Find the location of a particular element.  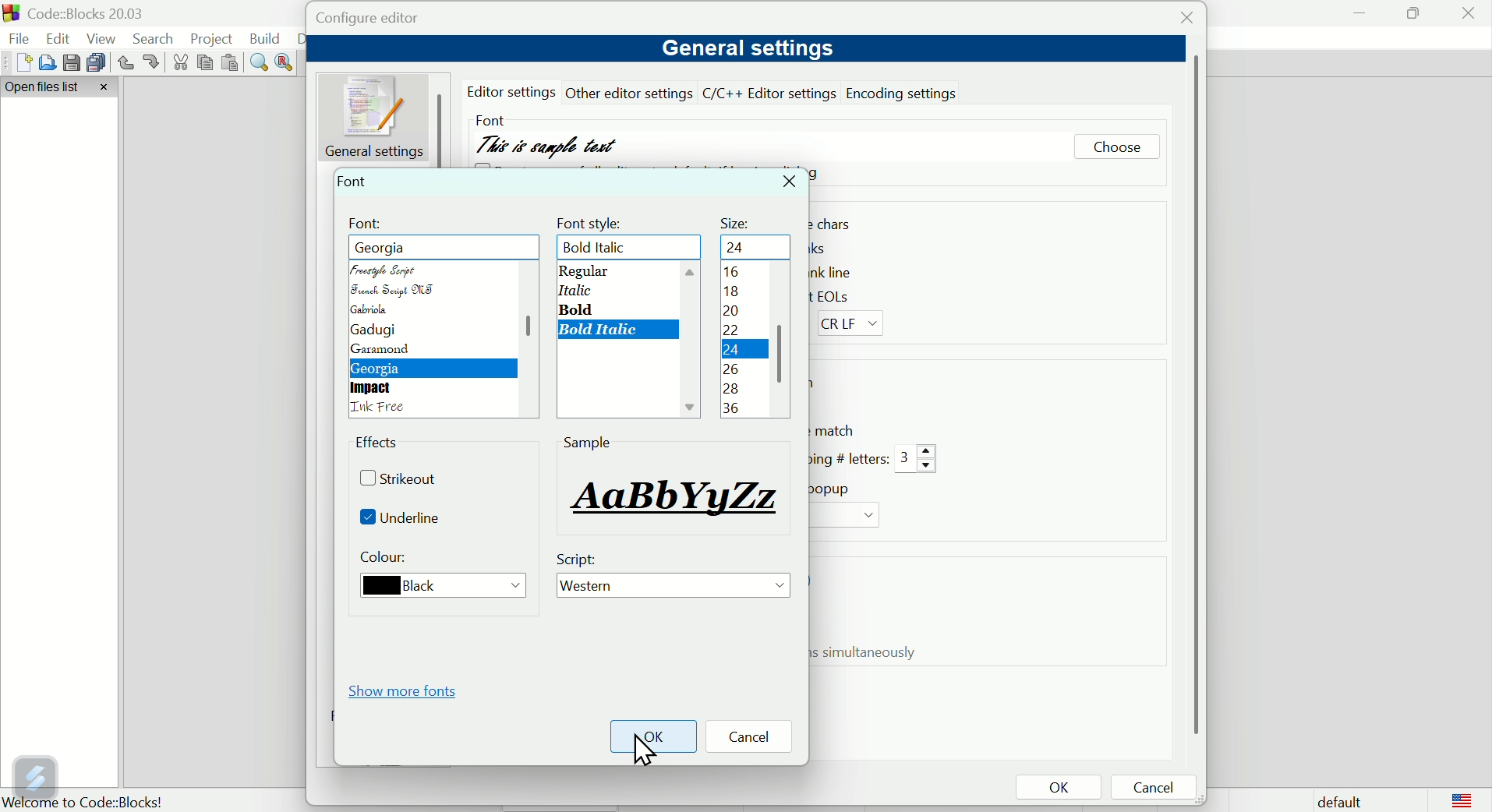

Open file list is located at coordinates (61, 88).